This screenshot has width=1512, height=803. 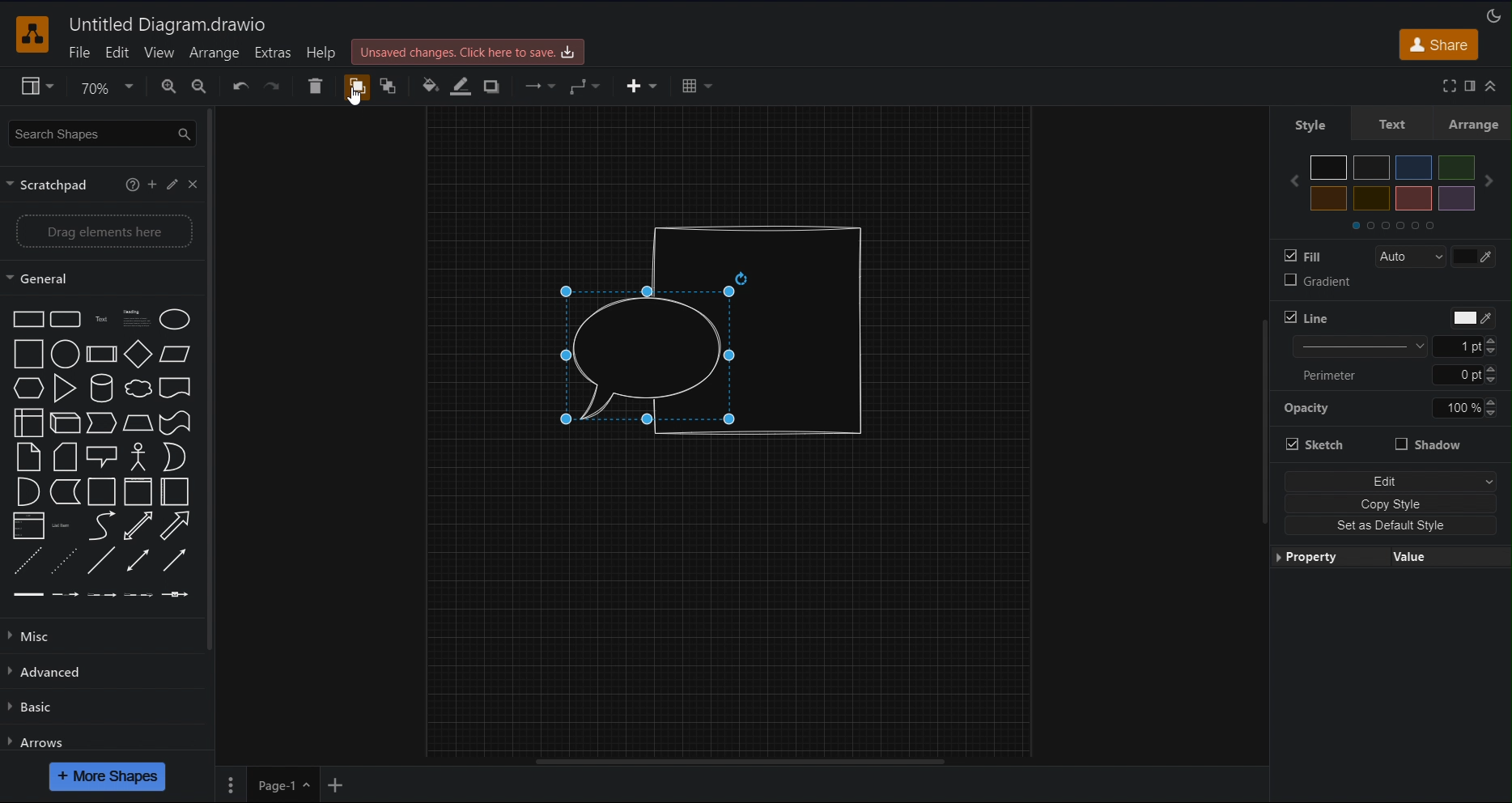 I want to click on Opacity, so click(x=1306, y=409).